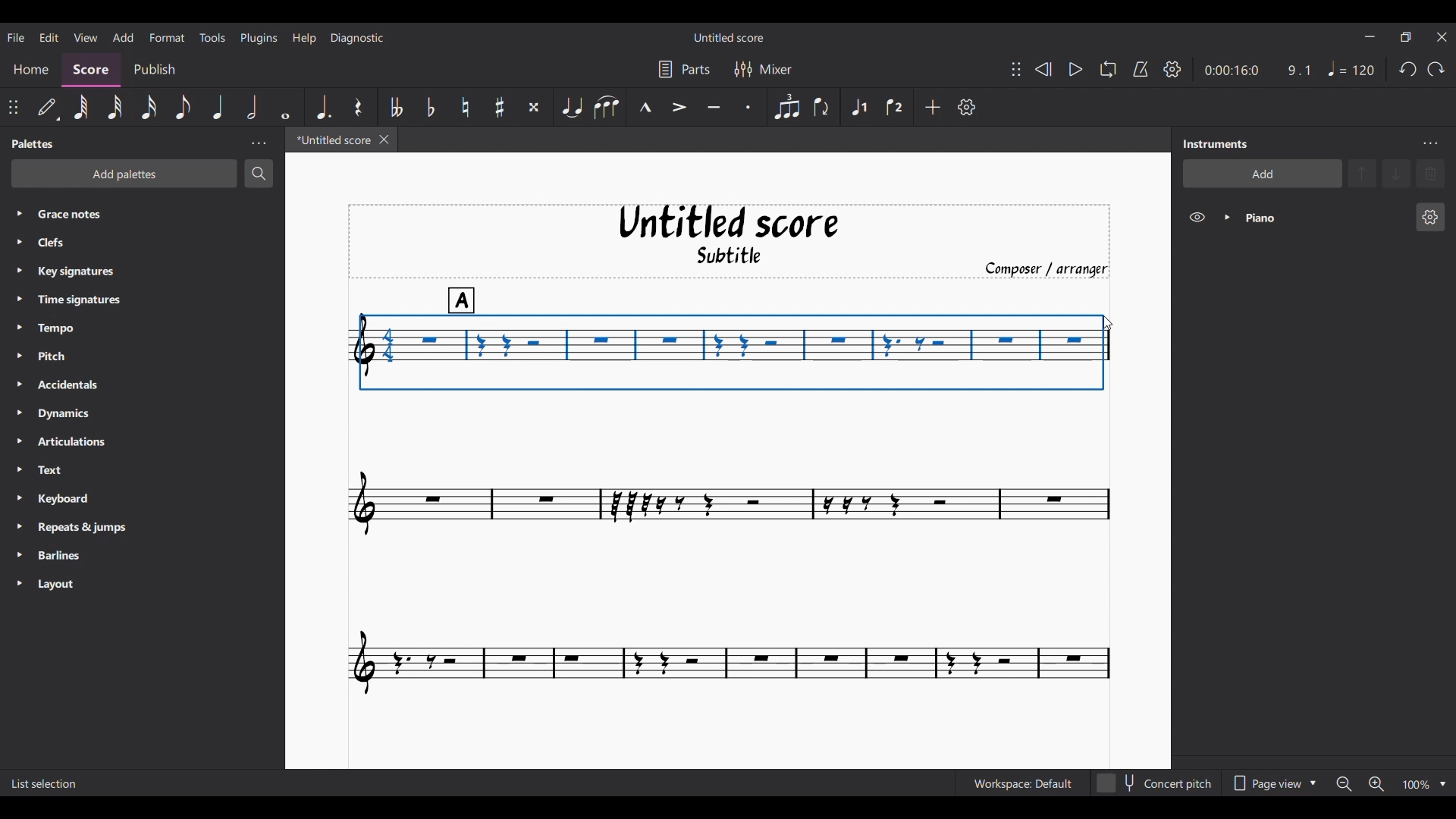 The image size is (1456, 819). What do you see at coordinates (85, 442) in the screenshot?
I see `Articulations` at bounding box center [85, 442].